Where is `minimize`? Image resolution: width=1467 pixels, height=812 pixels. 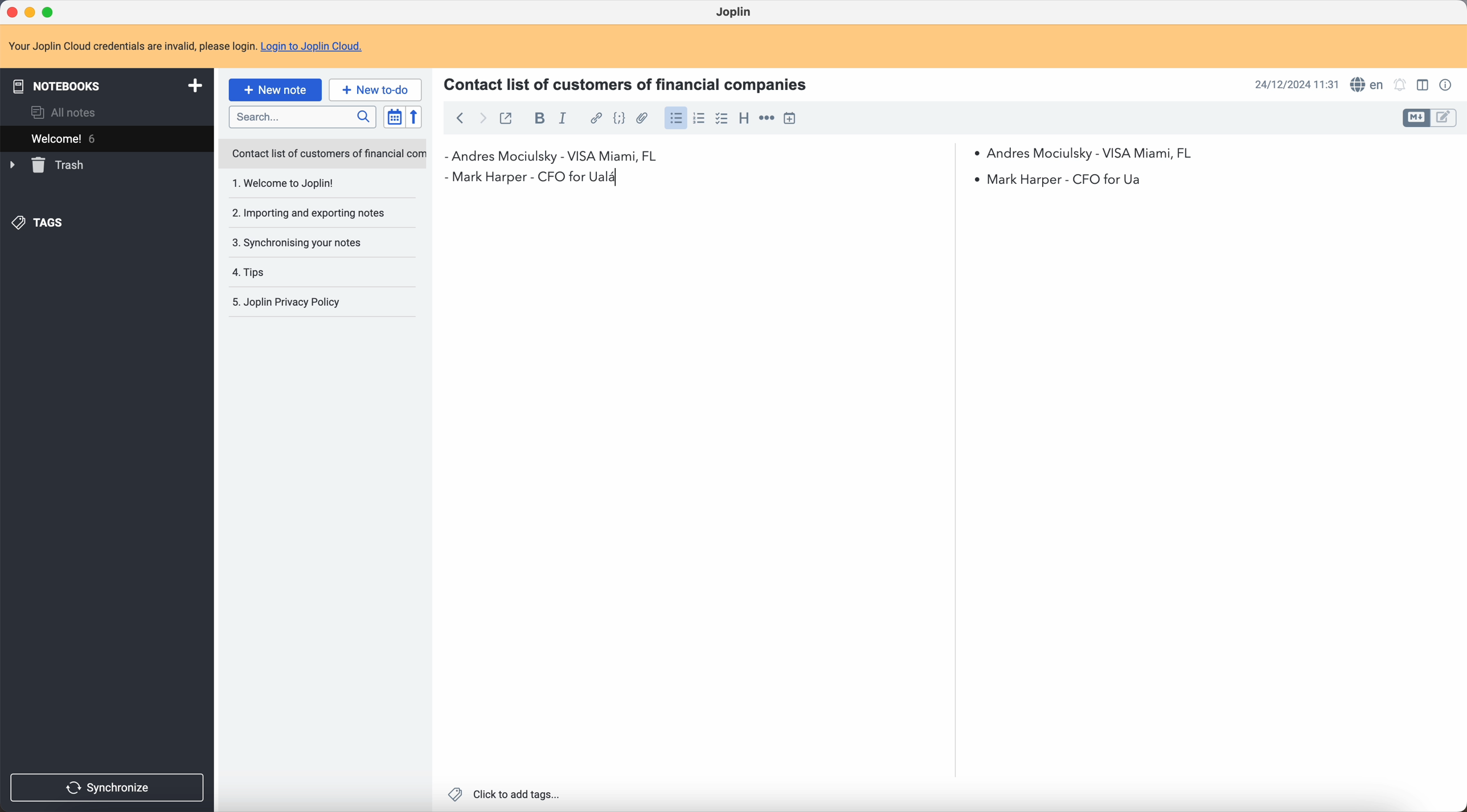
minimize is located at coordinates (30, 11).